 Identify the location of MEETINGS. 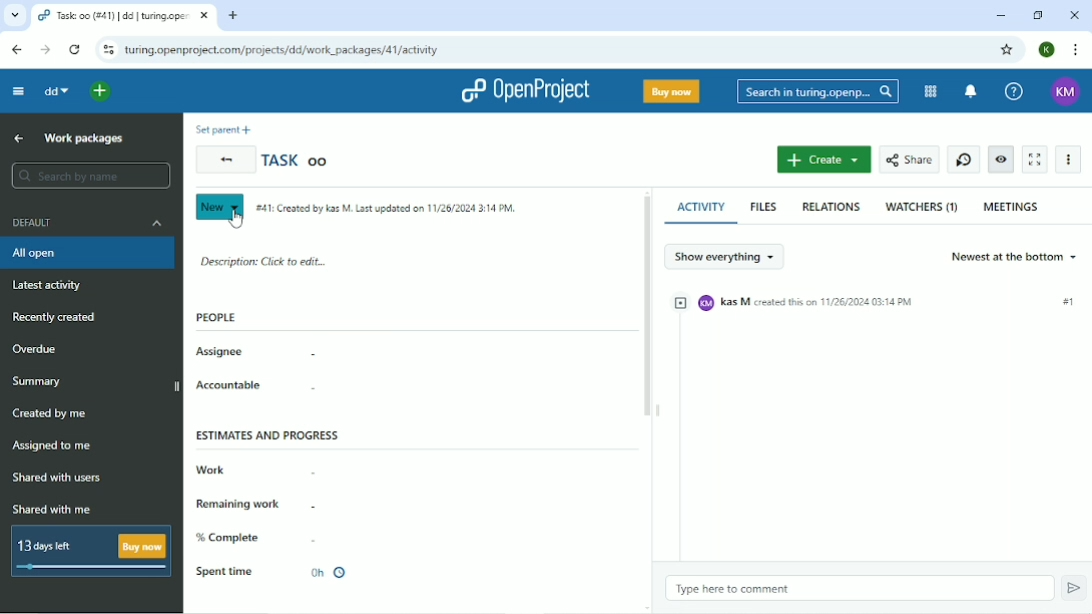
(1012, 206).